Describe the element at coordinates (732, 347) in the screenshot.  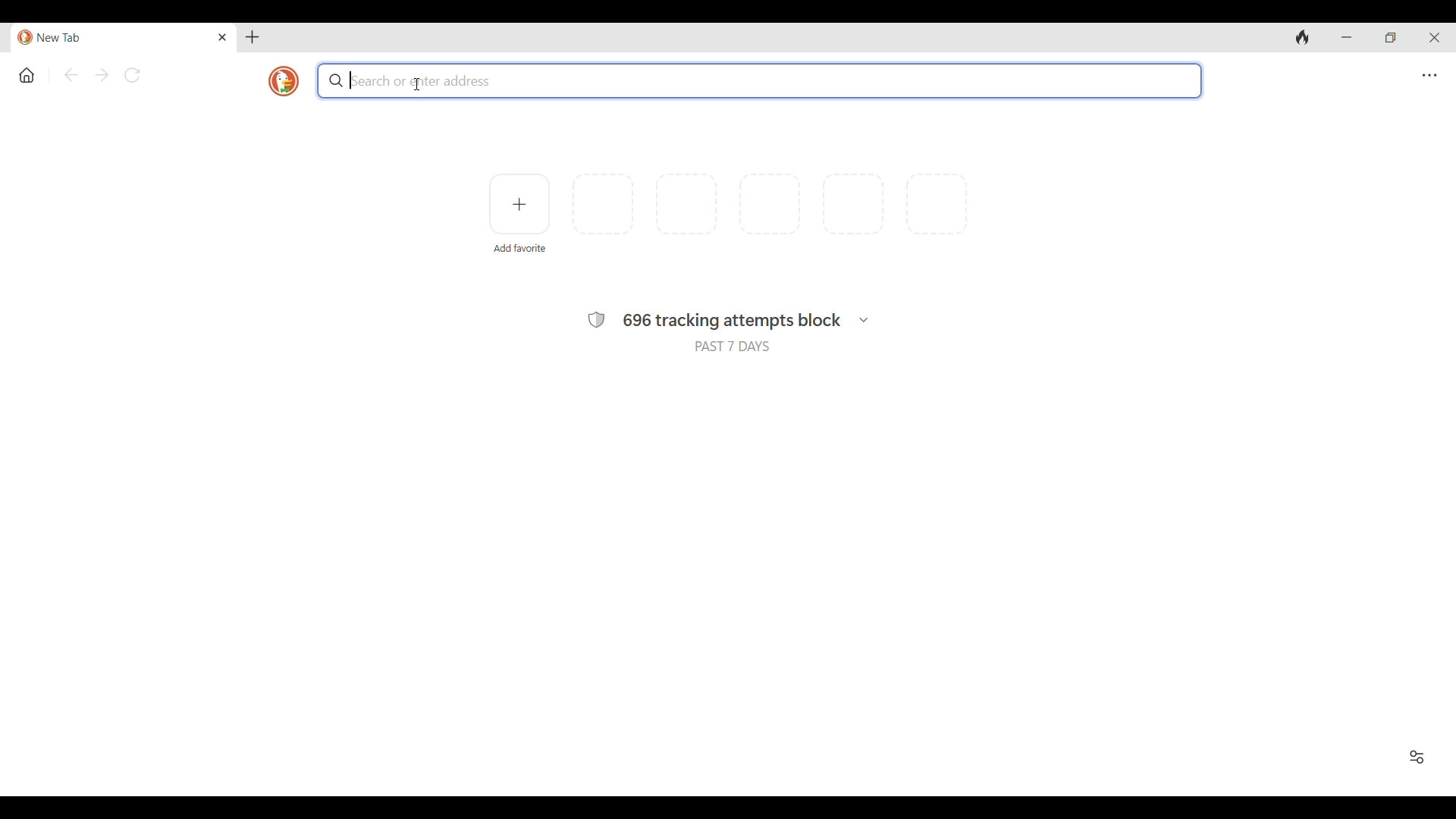
I see `PAST 7 DAYS` at that location.